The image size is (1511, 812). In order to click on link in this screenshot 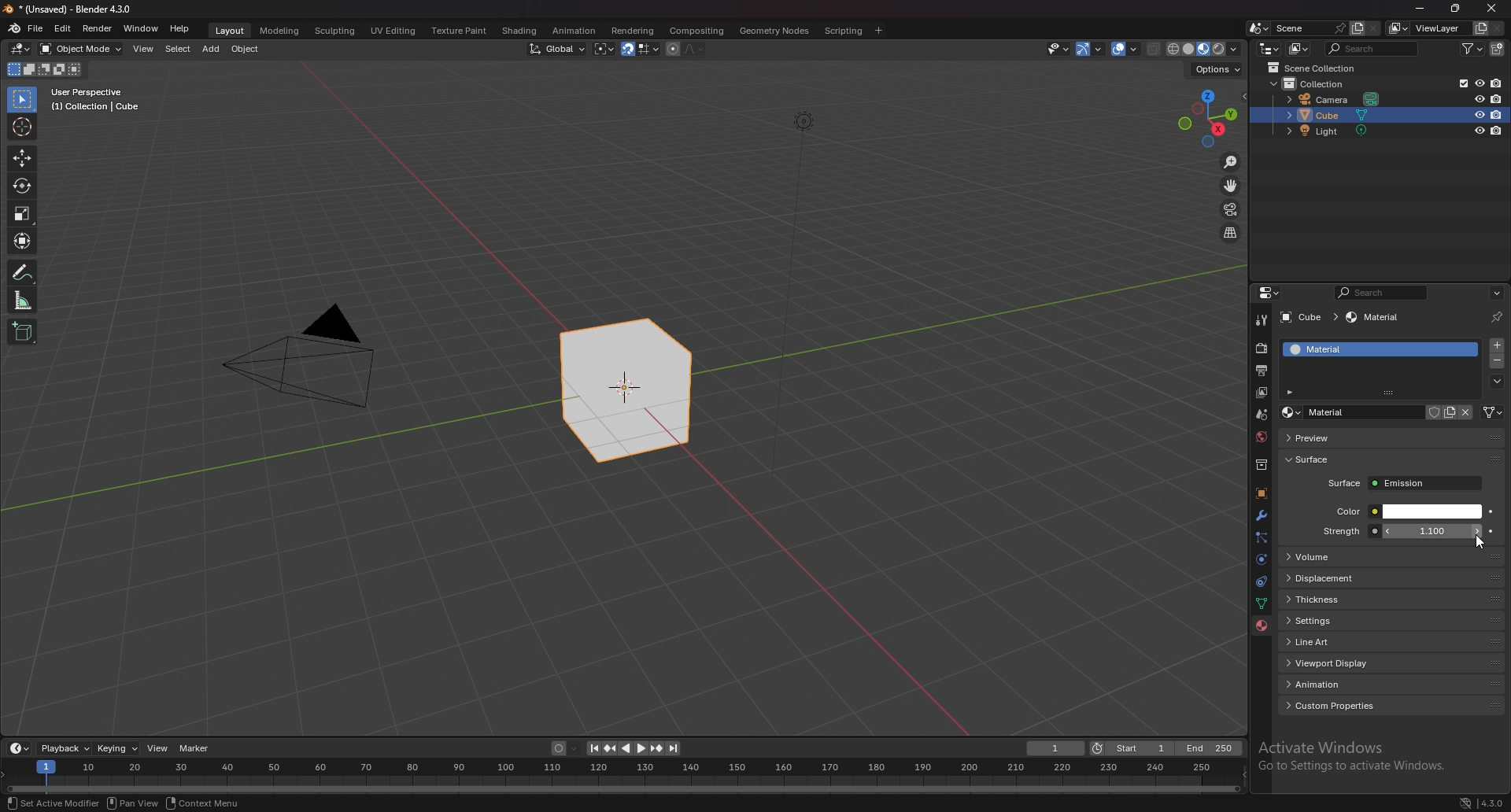, I will do `click(1493, 412)`.